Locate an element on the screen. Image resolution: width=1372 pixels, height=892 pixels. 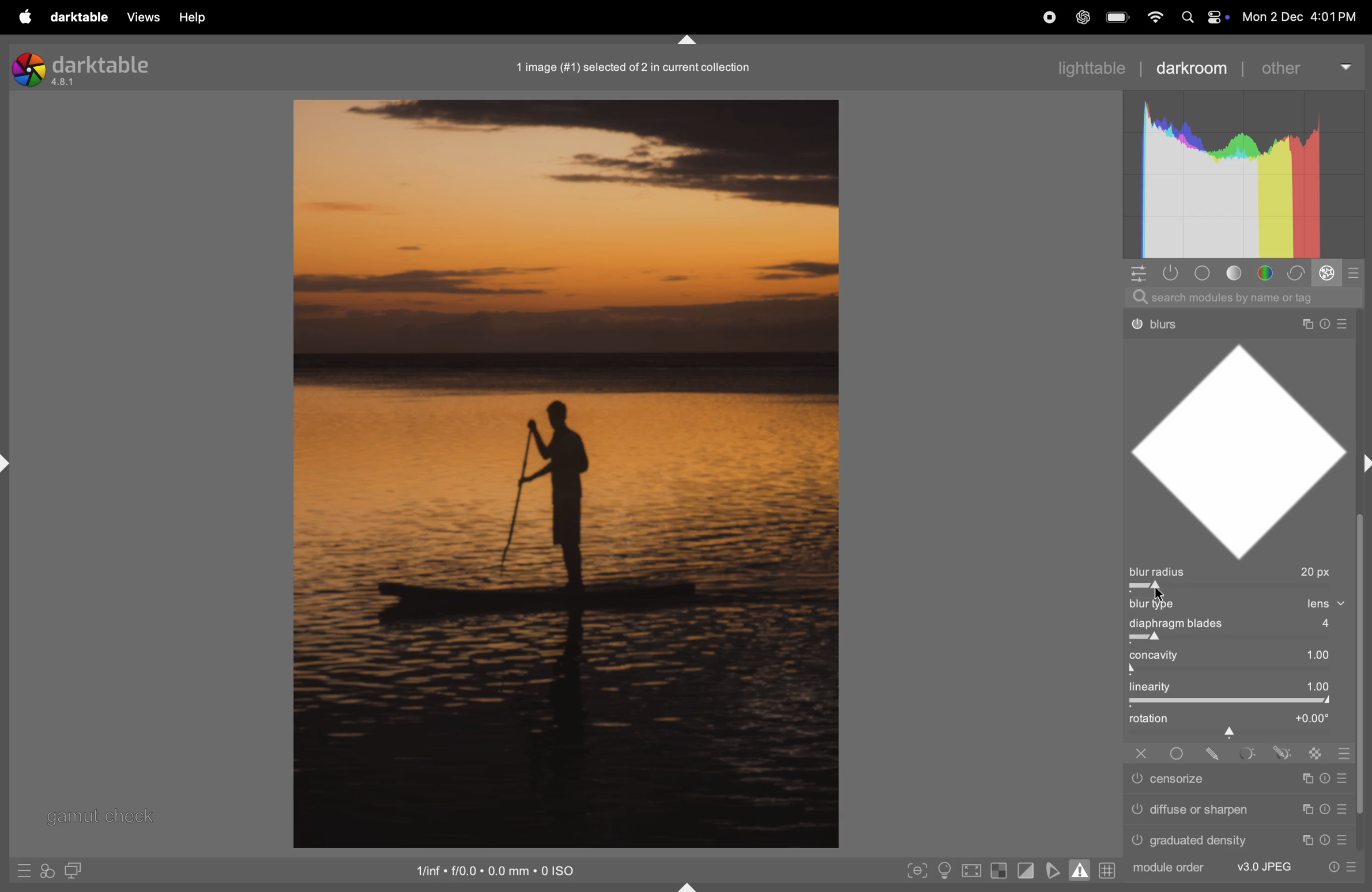
apple widgets is located at coordinates (1201, 17).